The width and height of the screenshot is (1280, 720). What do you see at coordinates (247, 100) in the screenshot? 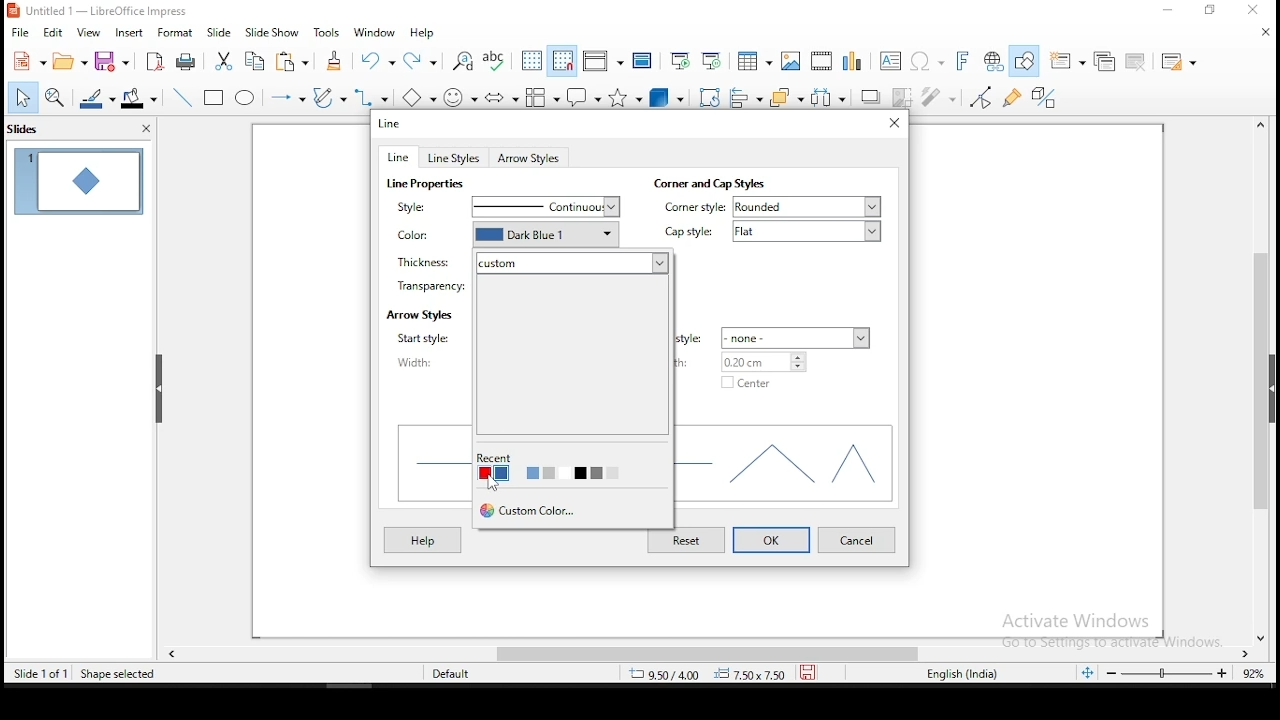
I see `ellipse` at bounding box center [247, 100].